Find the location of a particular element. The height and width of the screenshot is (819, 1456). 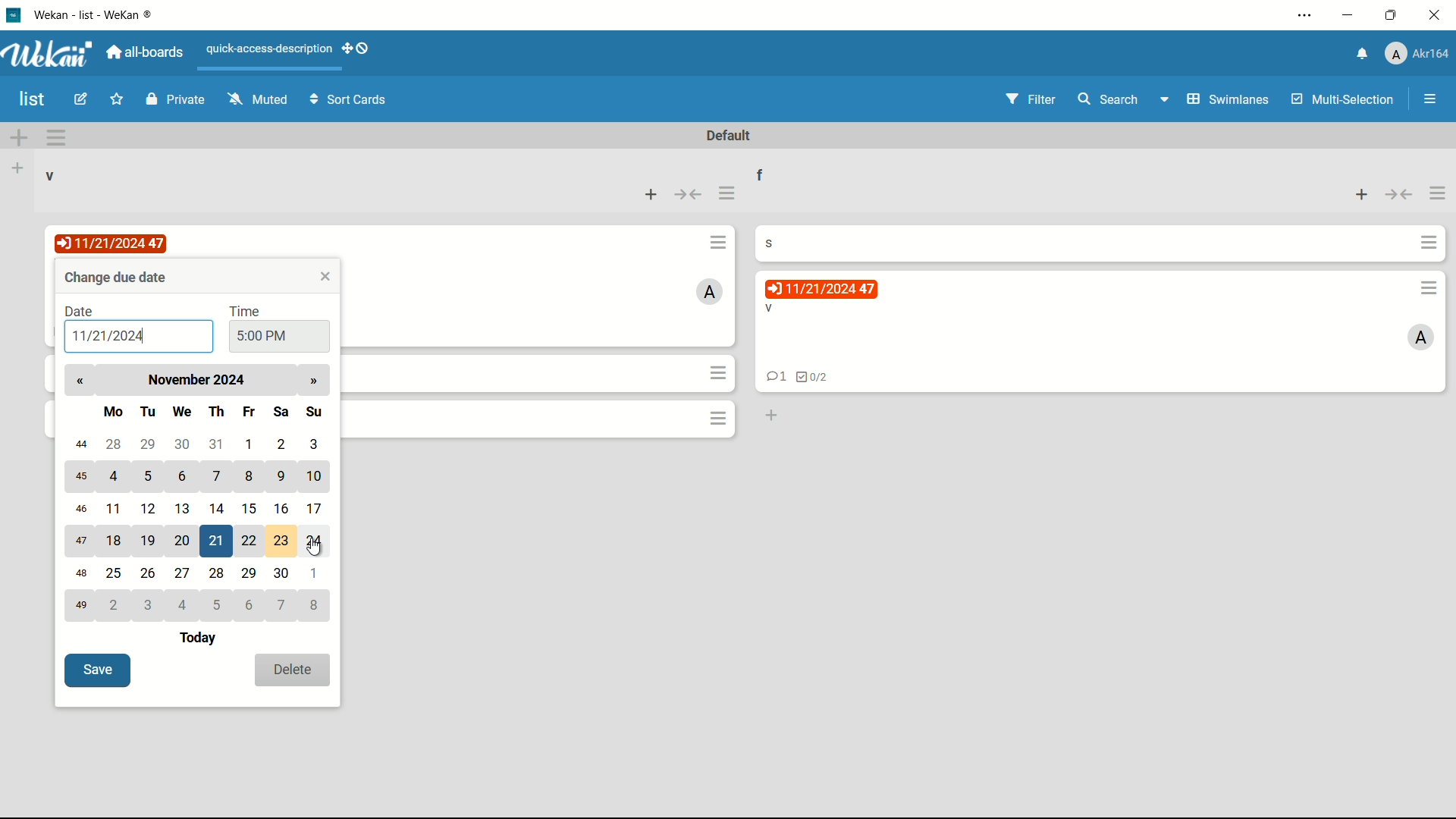

1 is located at coordinates (250, 444).